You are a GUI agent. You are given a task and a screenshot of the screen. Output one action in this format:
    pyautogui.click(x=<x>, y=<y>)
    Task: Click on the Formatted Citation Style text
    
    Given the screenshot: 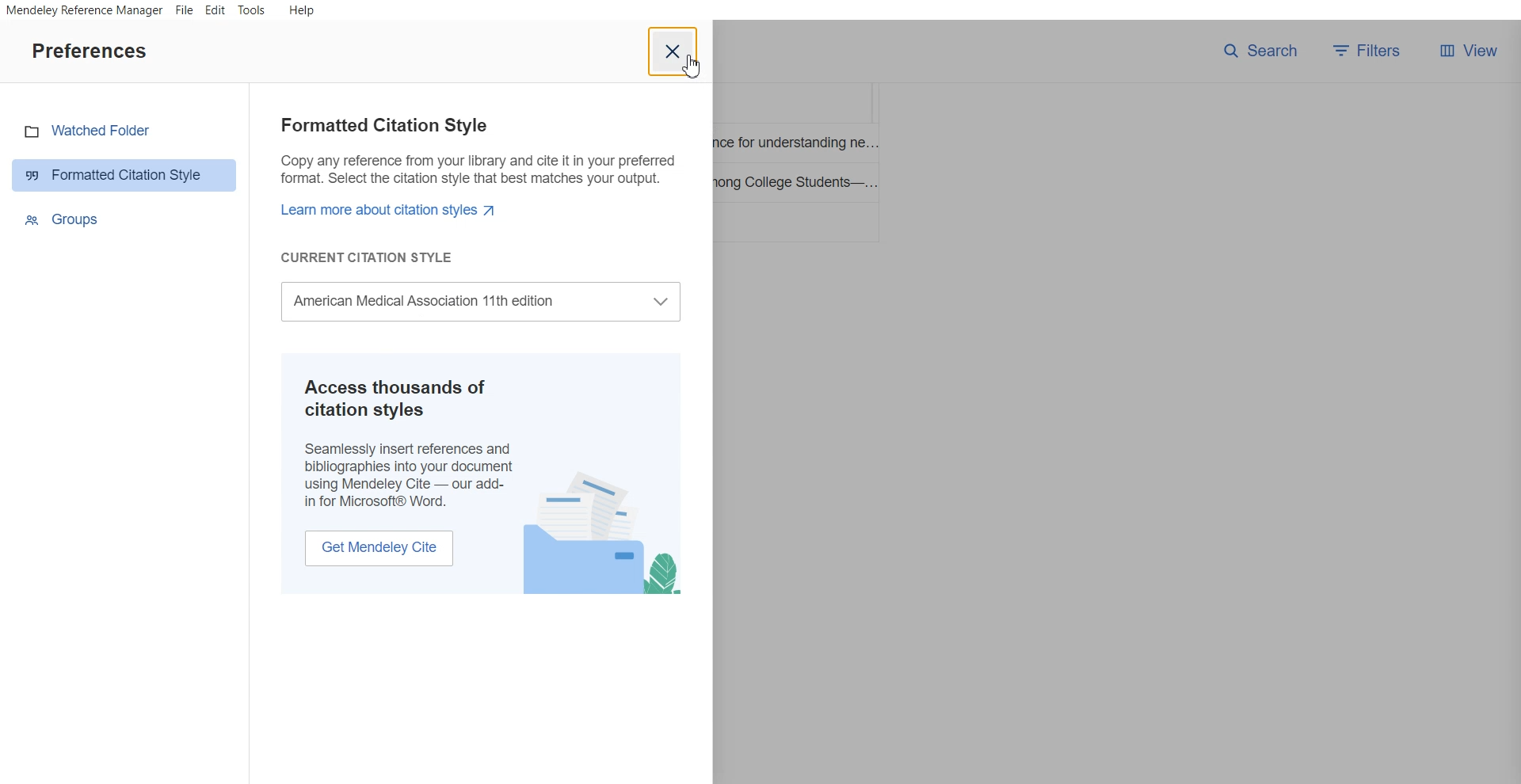 What is the action you would take?
    pyautogui.click(x=475, y=191)
    